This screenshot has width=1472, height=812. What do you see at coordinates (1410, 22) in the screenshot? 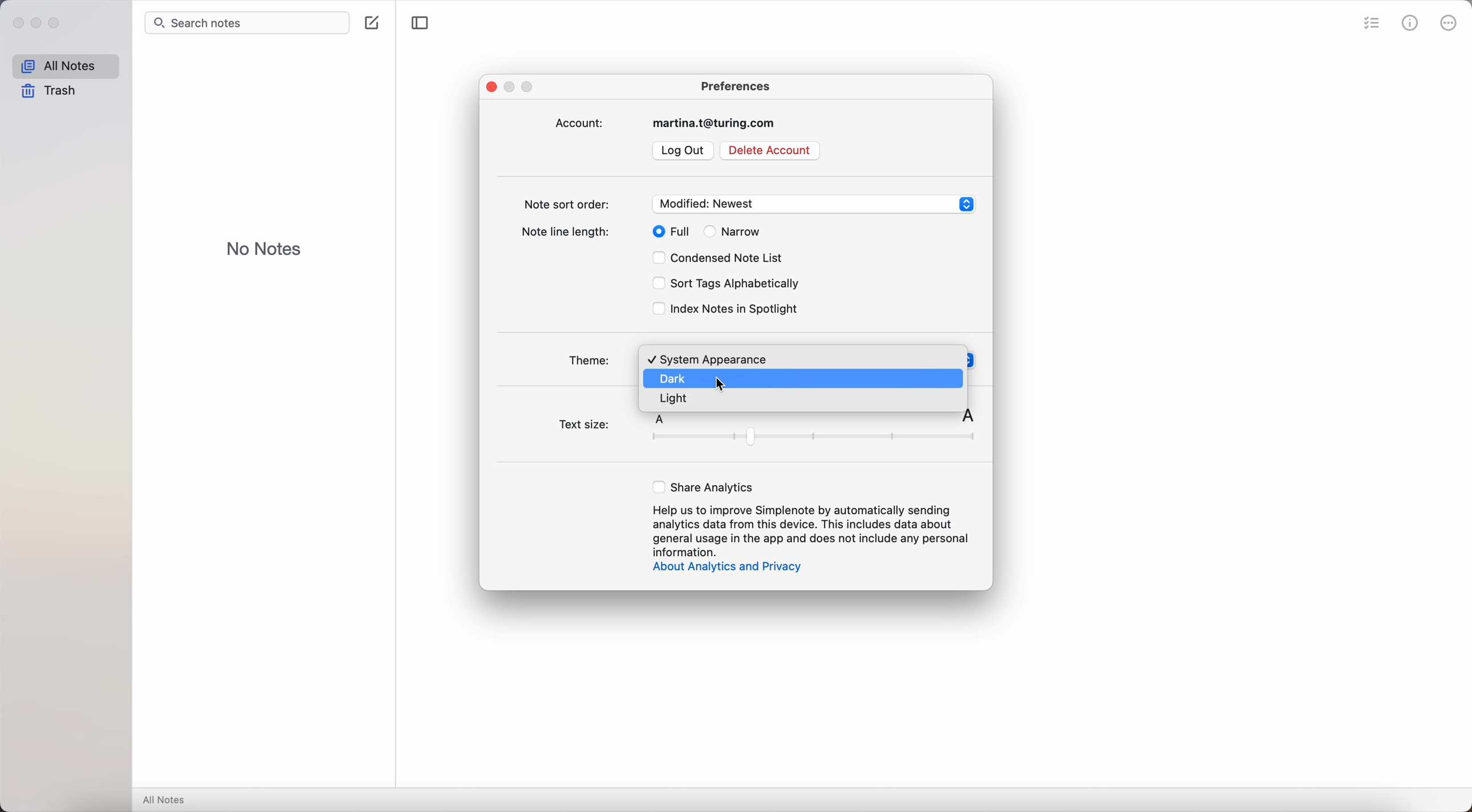
I see `metrics` at bounding box center [1410, 22].